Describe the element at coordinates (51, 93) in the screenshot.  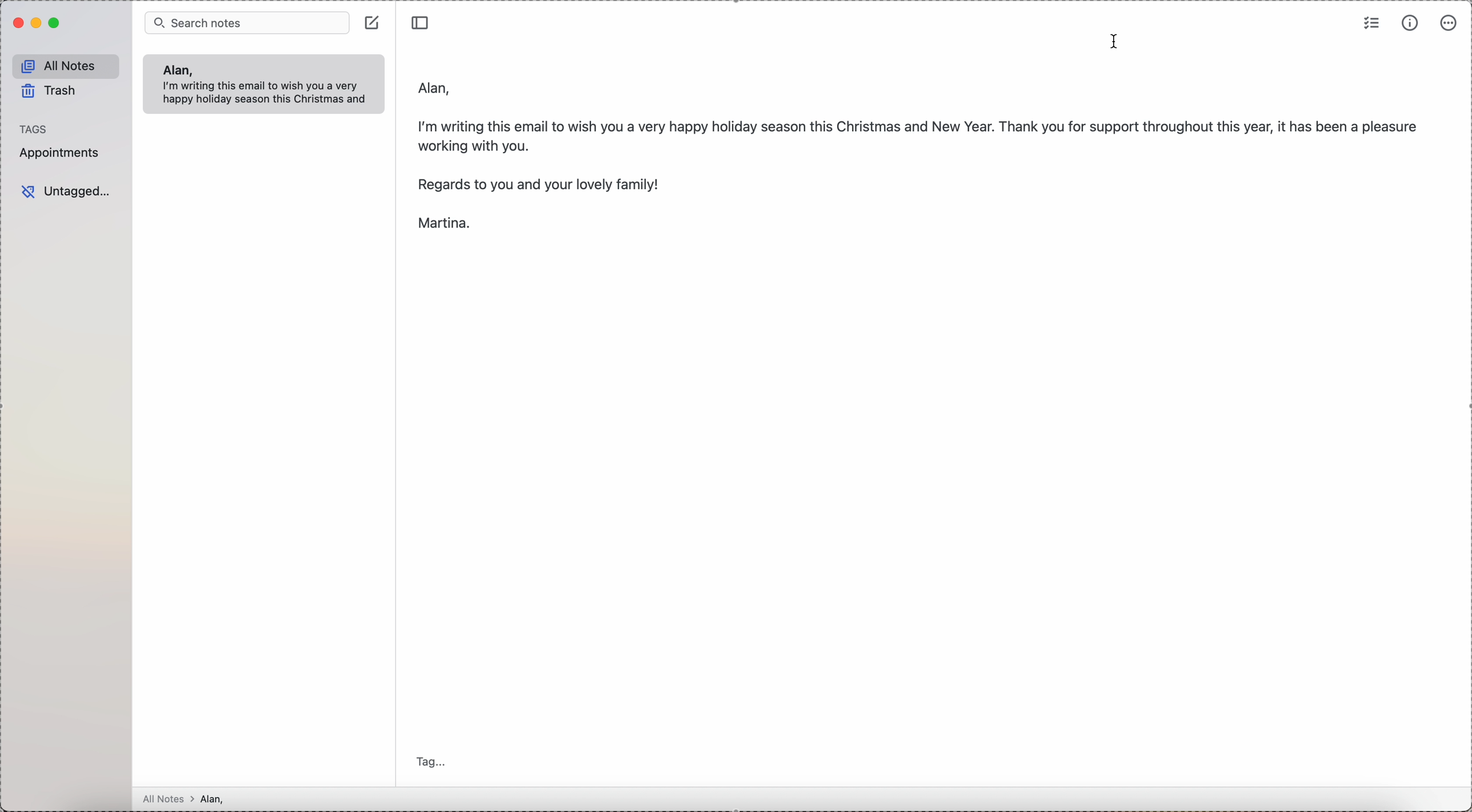
I see `trash` at that location.